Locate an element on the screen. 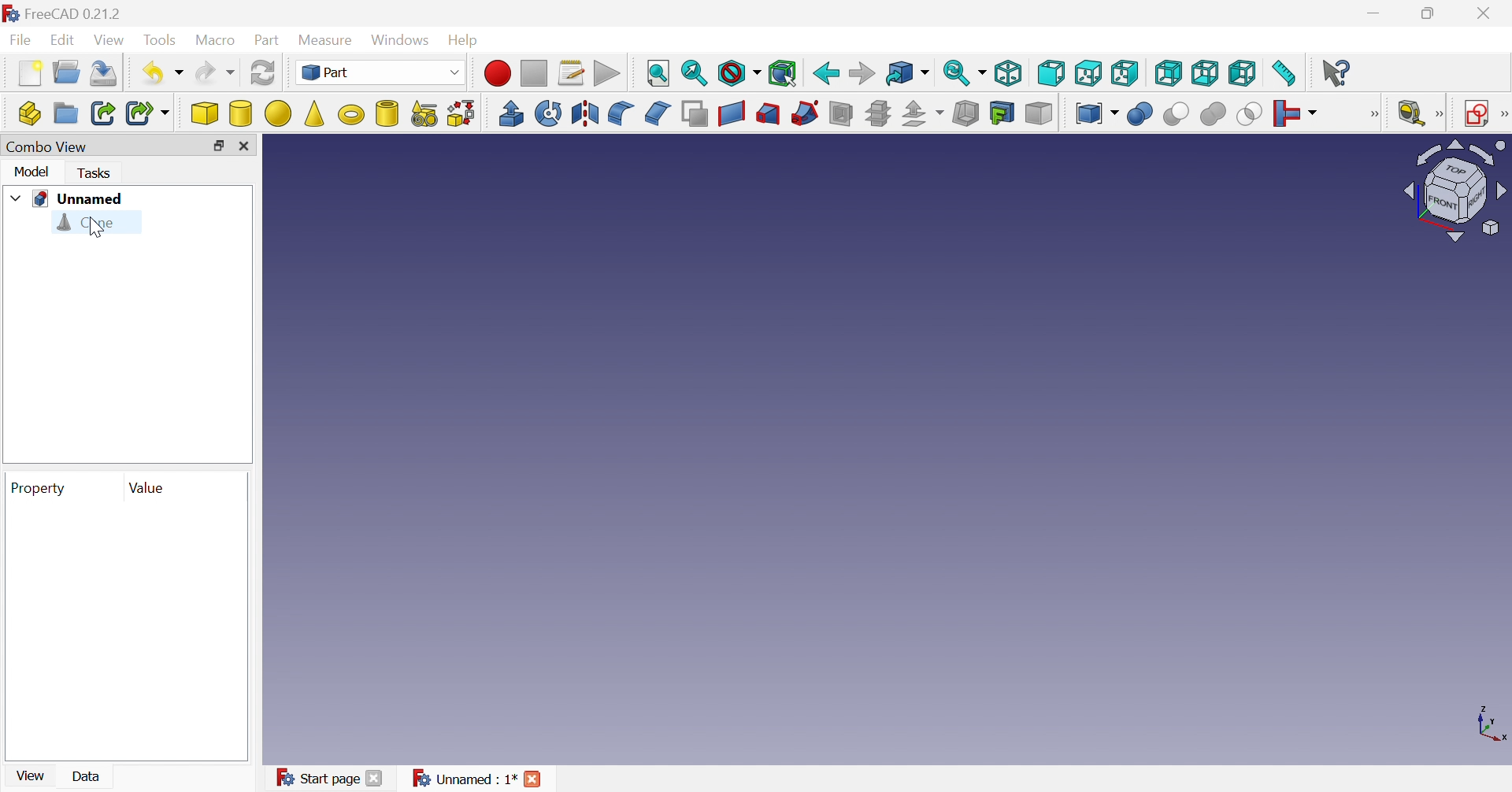 The image size is (1512, 792). Cut is located at coordinates (1174, 113).